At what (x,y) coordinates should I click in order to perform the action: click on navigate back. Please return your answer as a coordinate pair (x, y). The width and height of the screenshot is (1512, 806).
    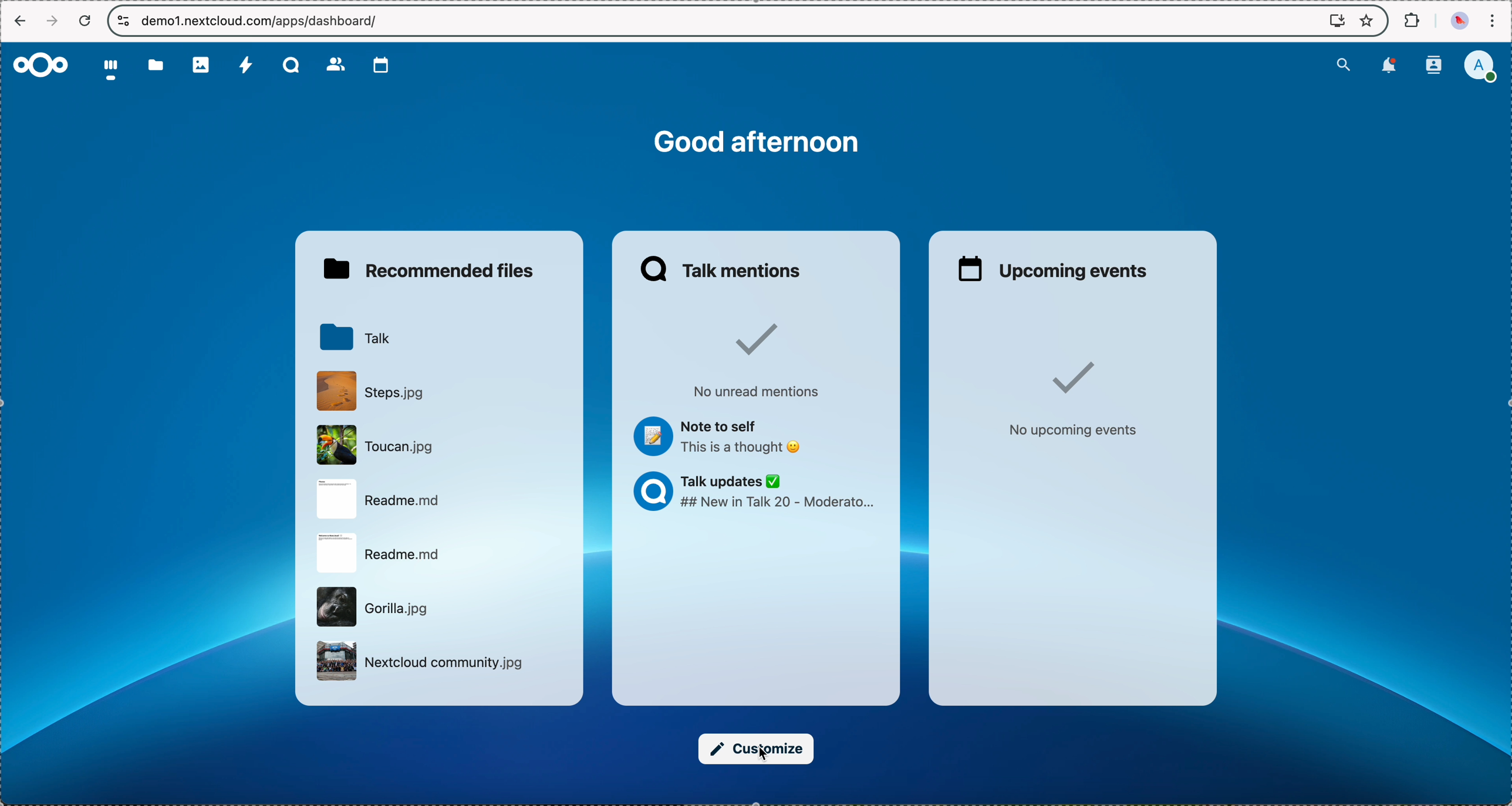
    Looking at the image, I should click on (19, 22).